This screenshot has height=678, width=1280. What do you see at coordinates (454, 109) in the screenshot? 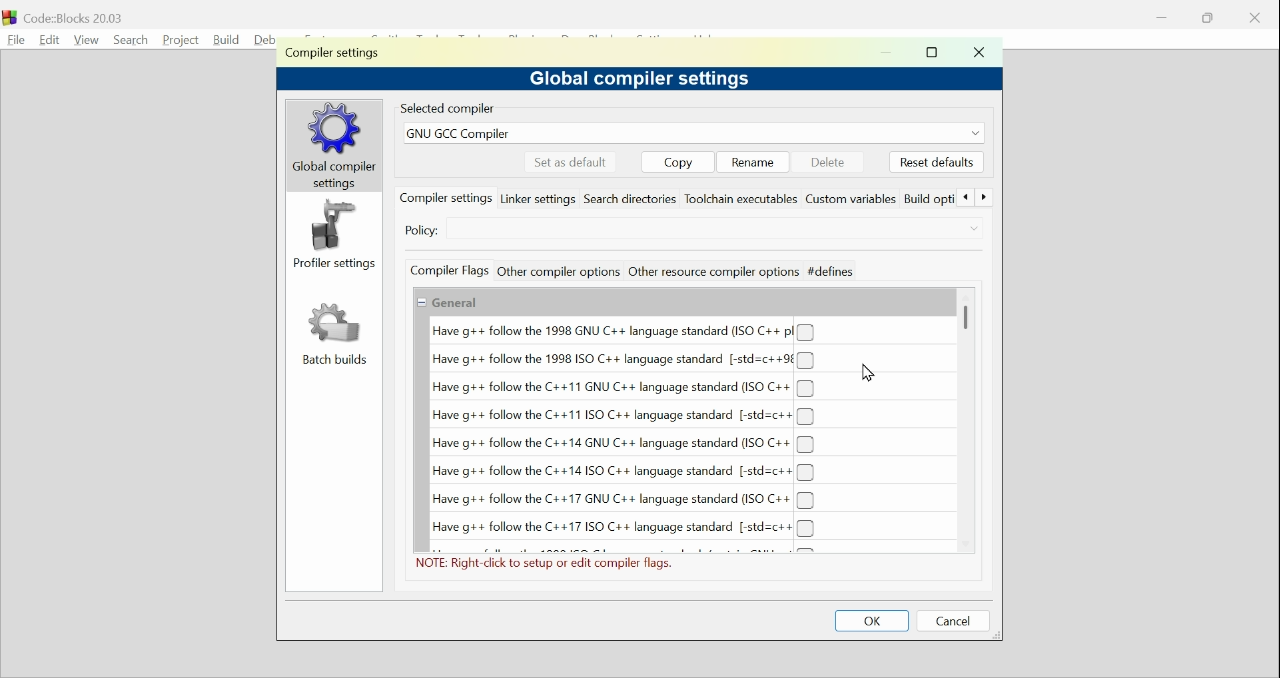
I see `Selected compiler` at bounding box center [454, 109].